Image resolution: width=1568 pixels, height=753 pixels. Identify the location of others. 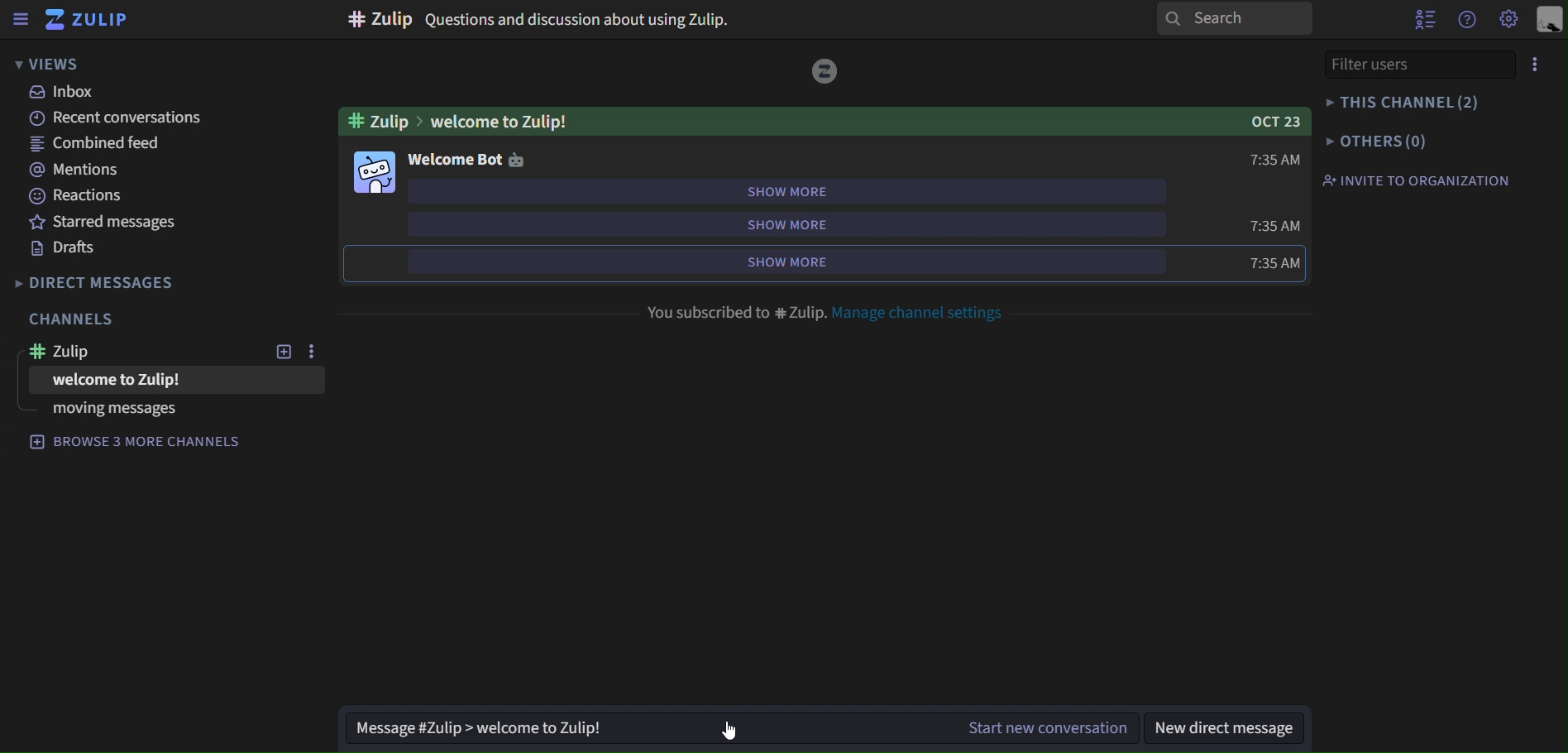
(1376, 142).